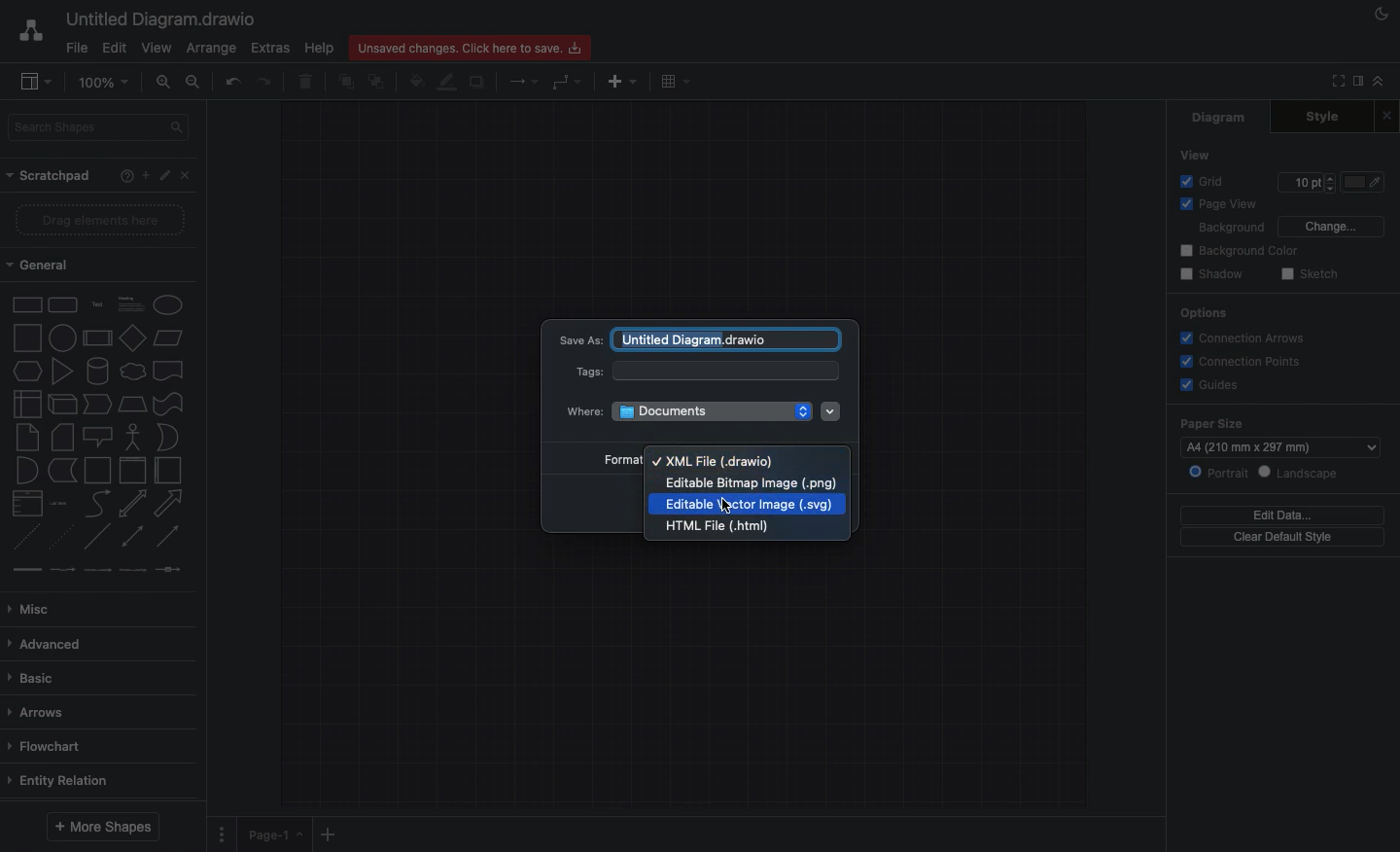 This screenshot has width=1400, height=852. What do you see at coordinates (687, 411) in the screenshot?
I see `Where` at bounding box center [687, 411].